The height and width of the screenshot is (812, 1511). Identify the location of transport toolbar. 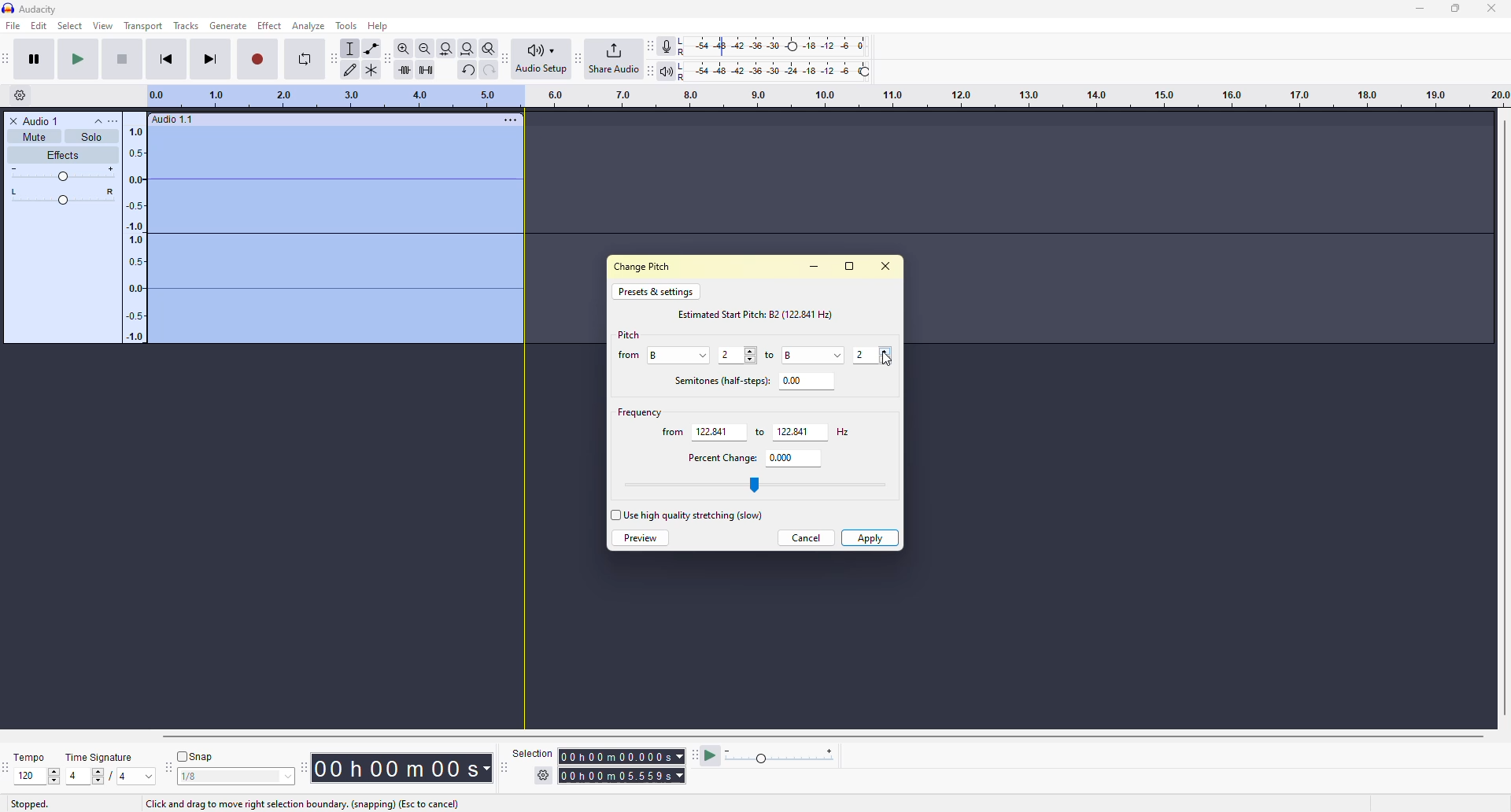
(10, 58).